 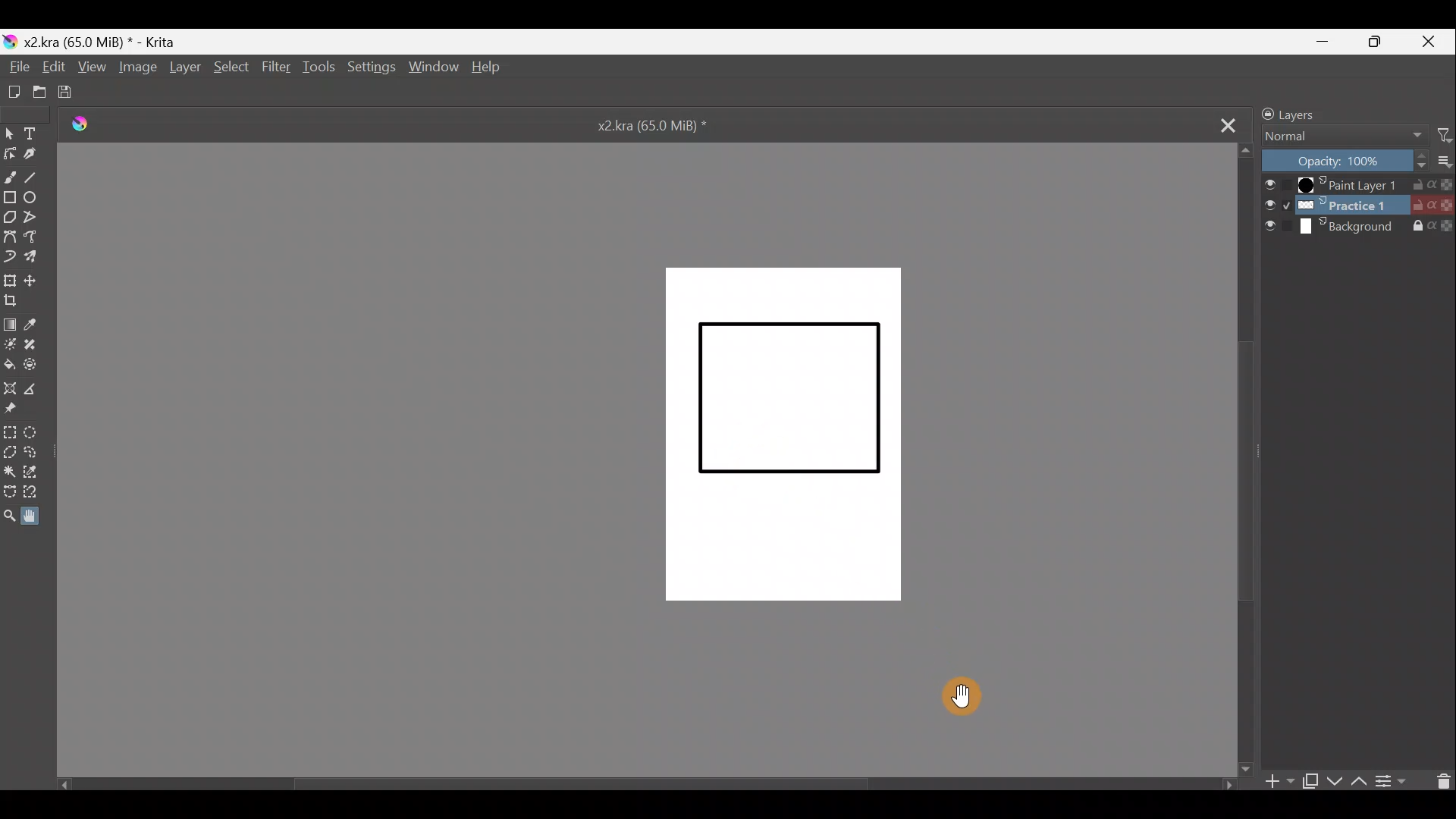 What do you see at coordinates (11, 516) in the screenshot?
I see `Zoom tool` at bounding box center [11, 516].